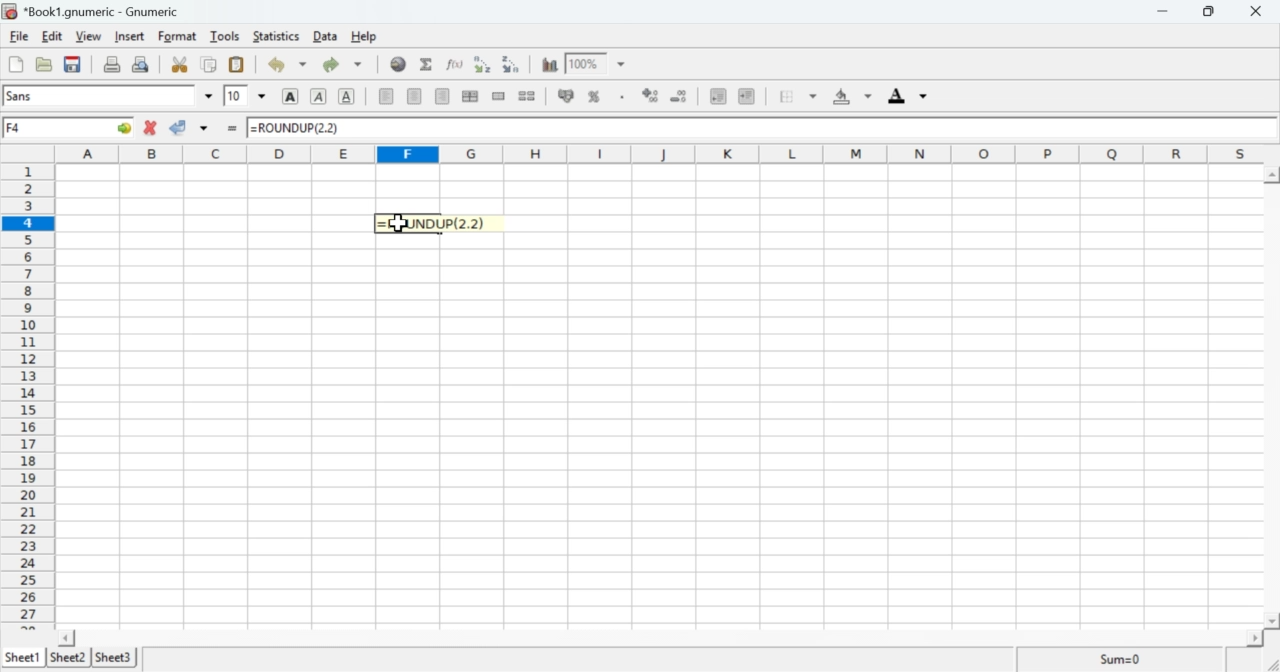  I want to click on View, so click(88, 36).